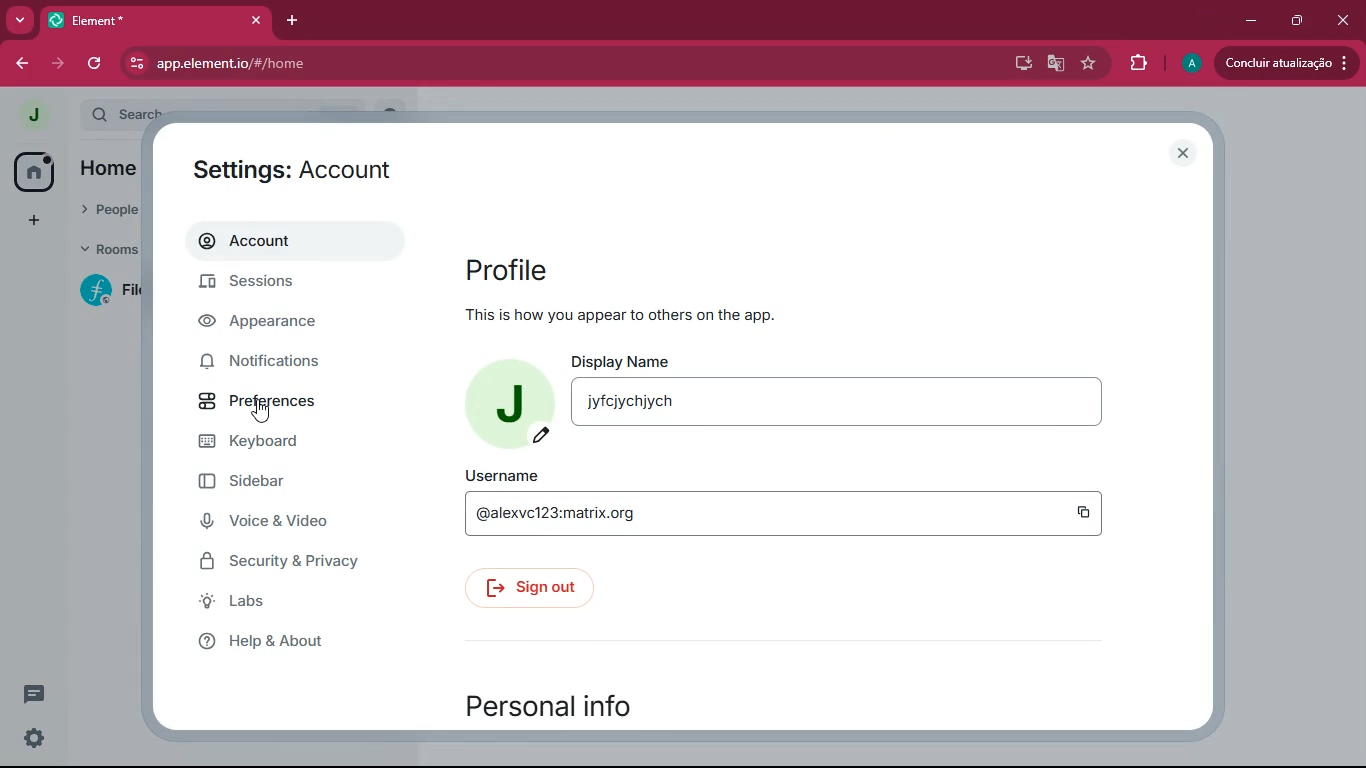 Image resolution: width=1366 pixels, height=768 pixels. I want to click on appearance, so click(271, 325).